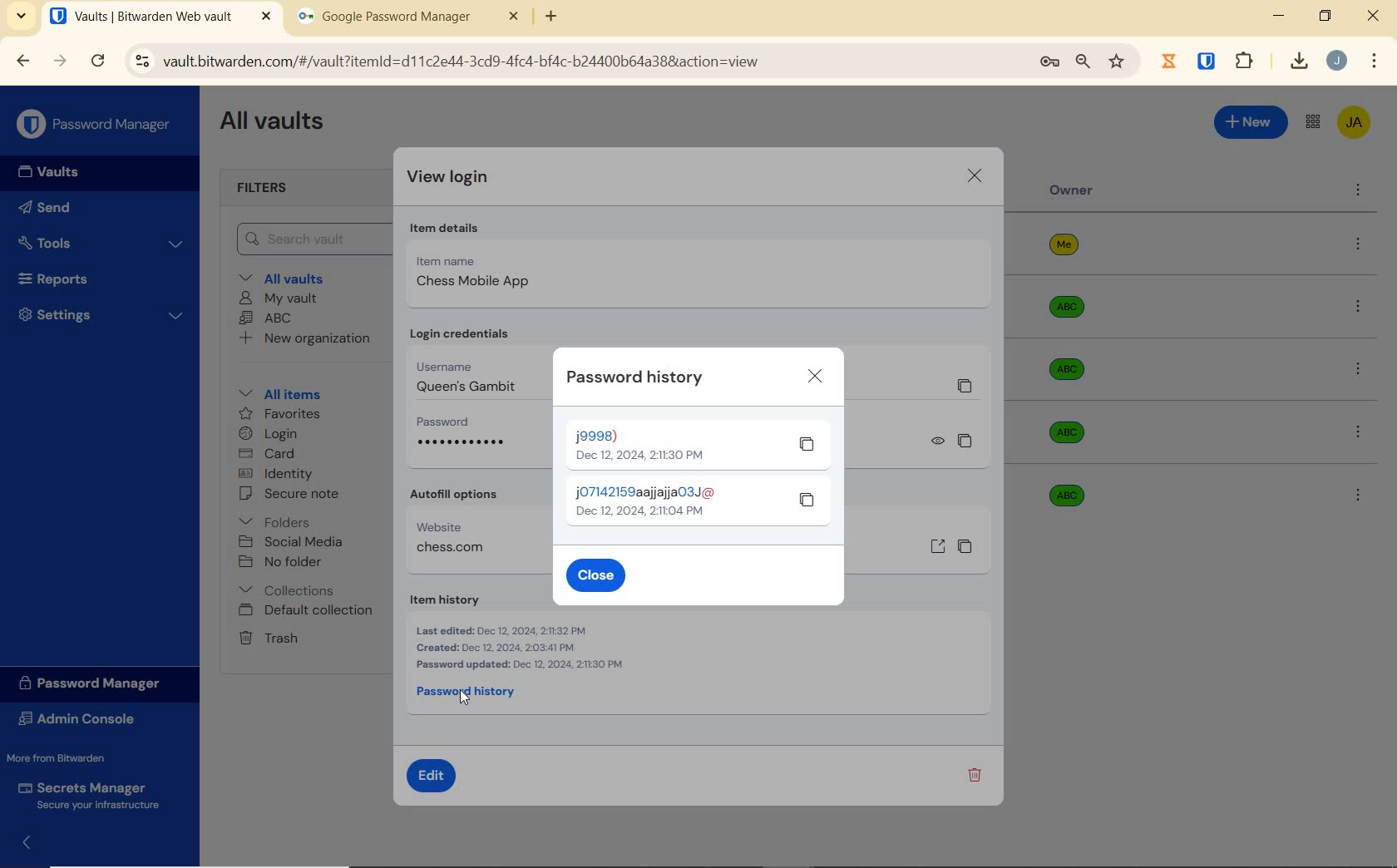 This screenshot has height=868, width=1397. What do you see at coordinates (1281, 16) in the screenshot?
I see `minimize` at bounding box center [1281, 16].